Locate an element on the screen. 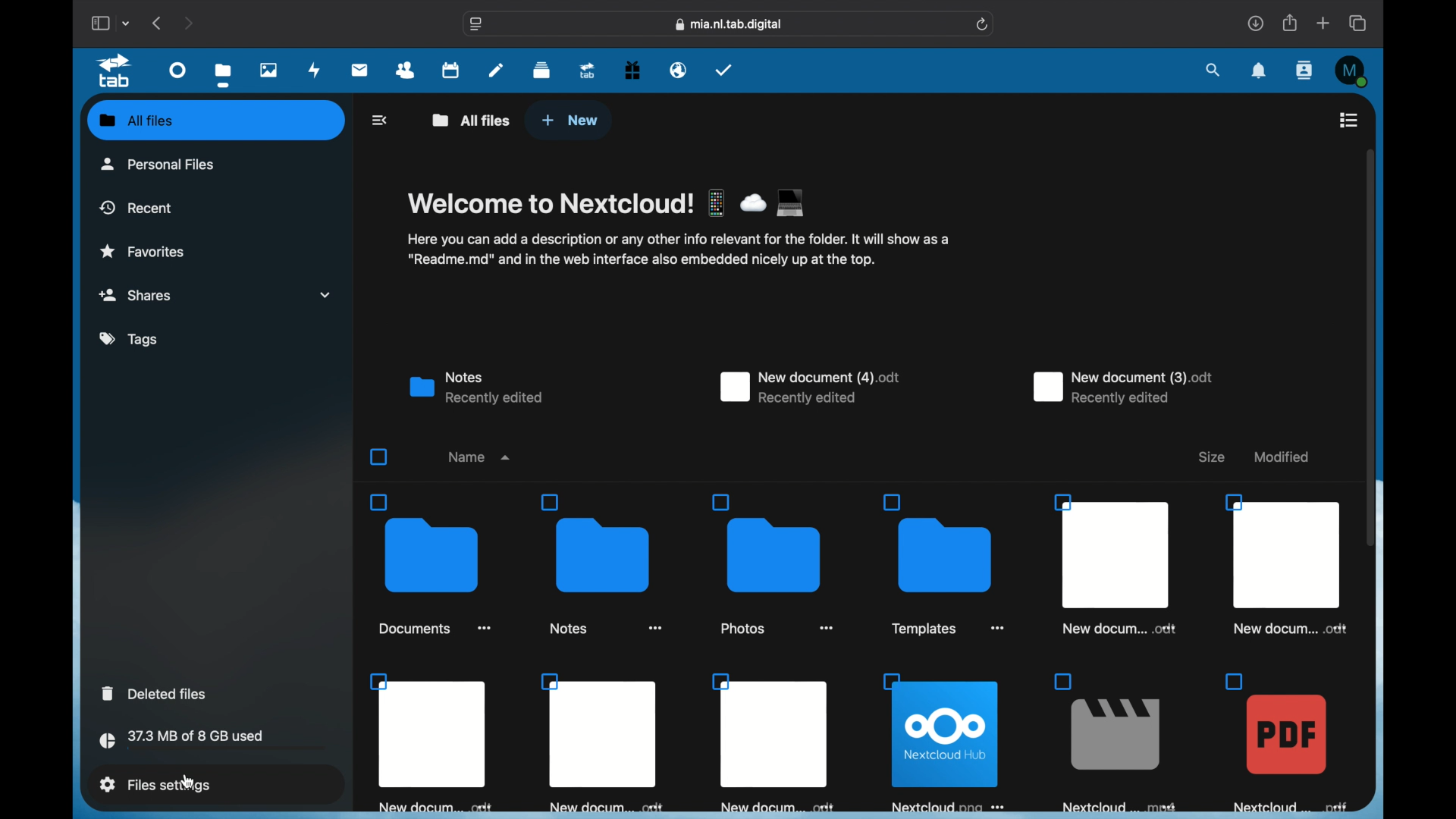 This screenshot has width=1456, height=819. deleted files is located at coordinates (153, 692).